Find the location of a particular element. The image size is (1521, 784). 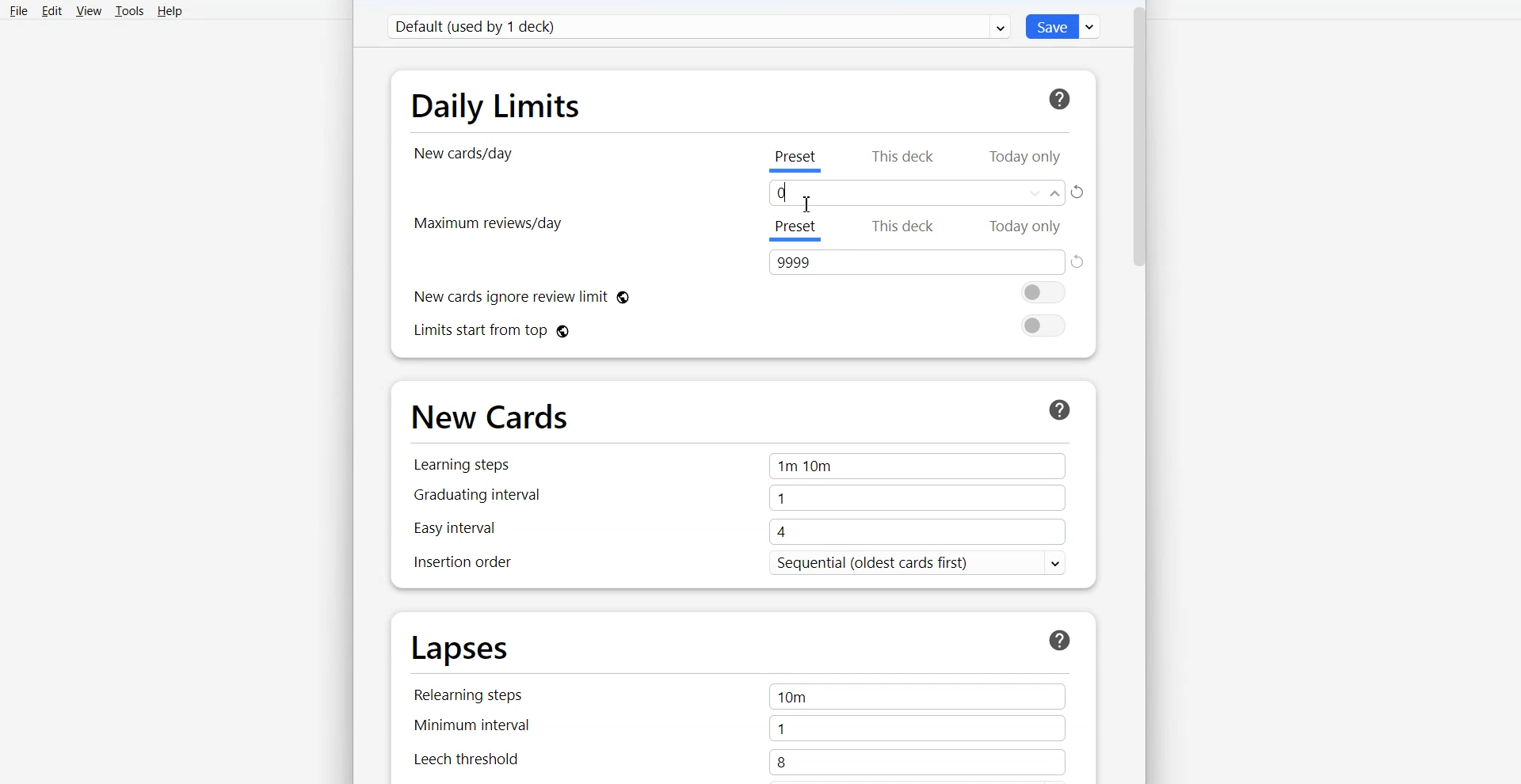

Rest is located at coordinates (1079, 193).